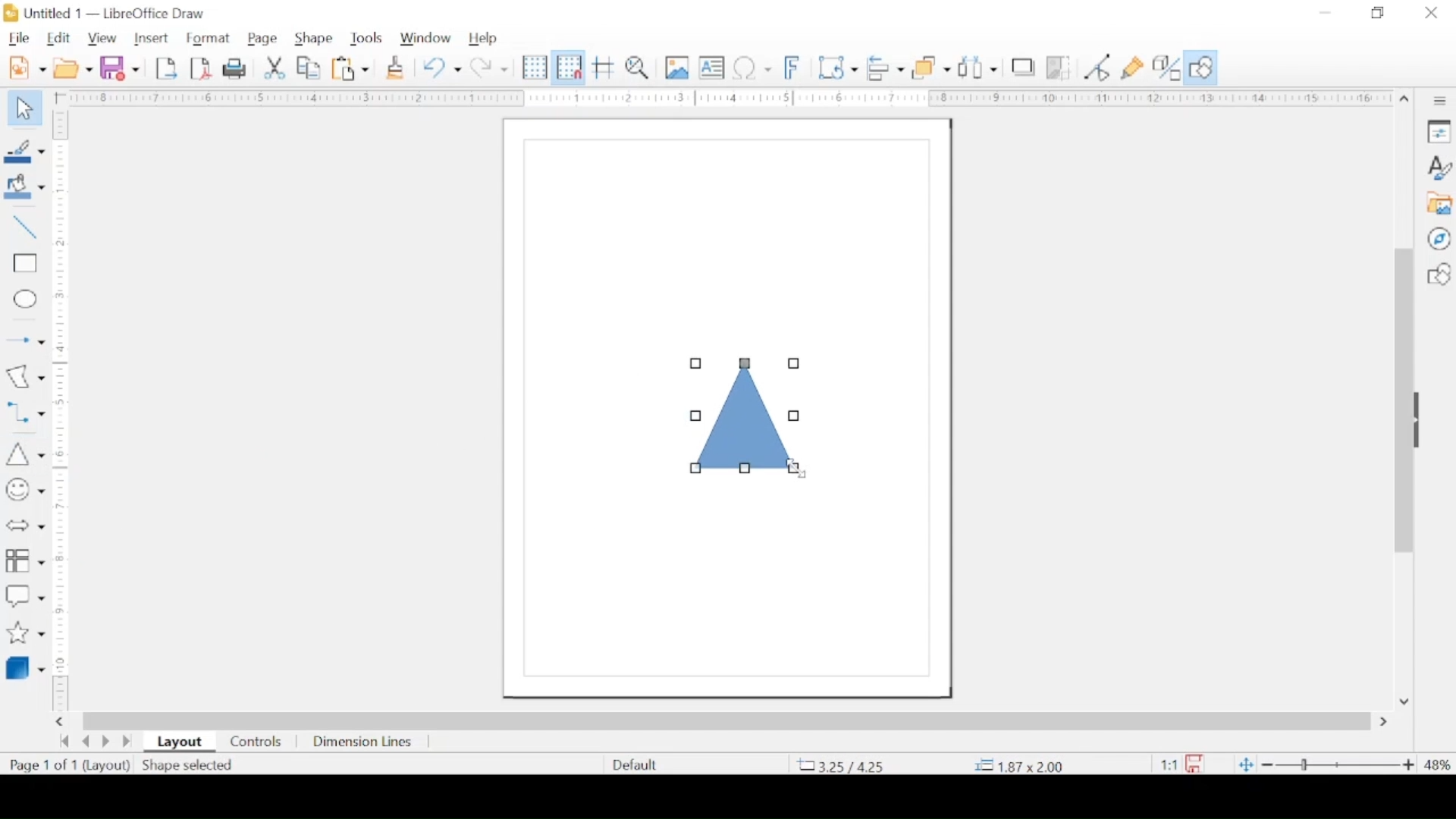 The image size is (1456, 819). What do you see at coordinates (312, 36) in the screenshot?
I see `shape` at bounding box center [312, 36].